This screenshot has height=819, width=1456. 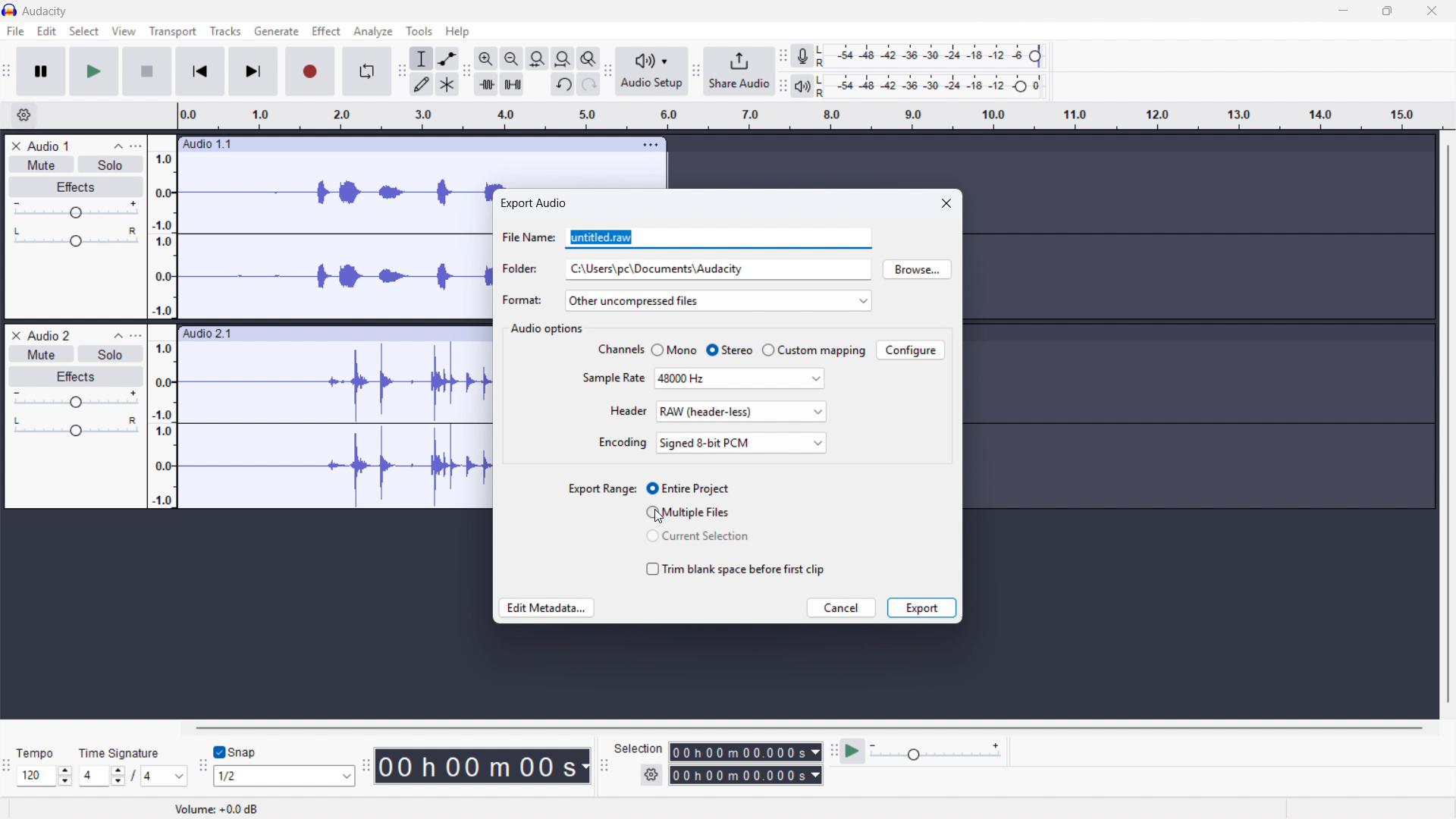 I want to click on audio options, so click(x=548, y=329).